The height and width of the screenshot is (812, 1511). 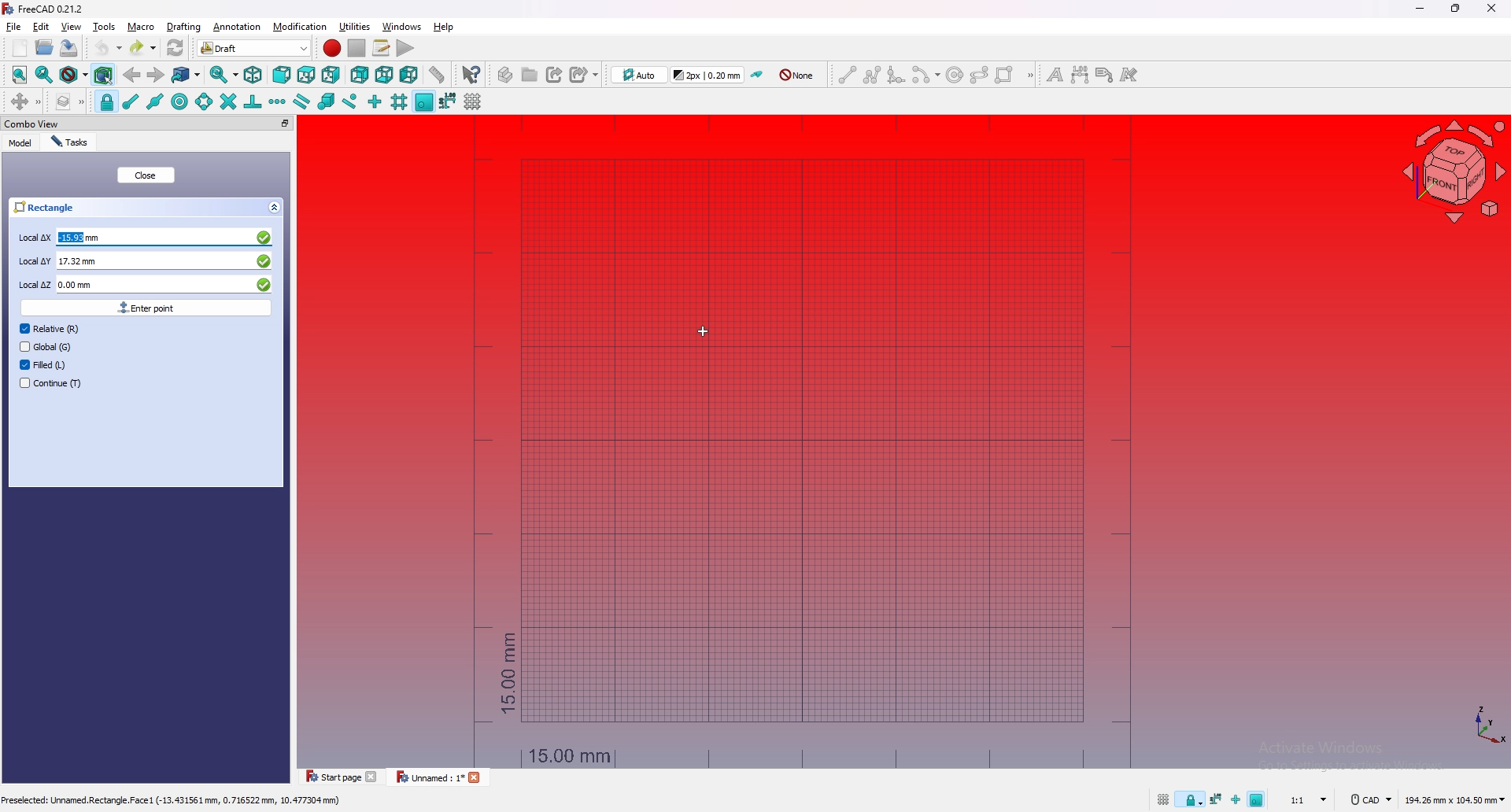 I want to click on undo, so click(x=106, y=47).